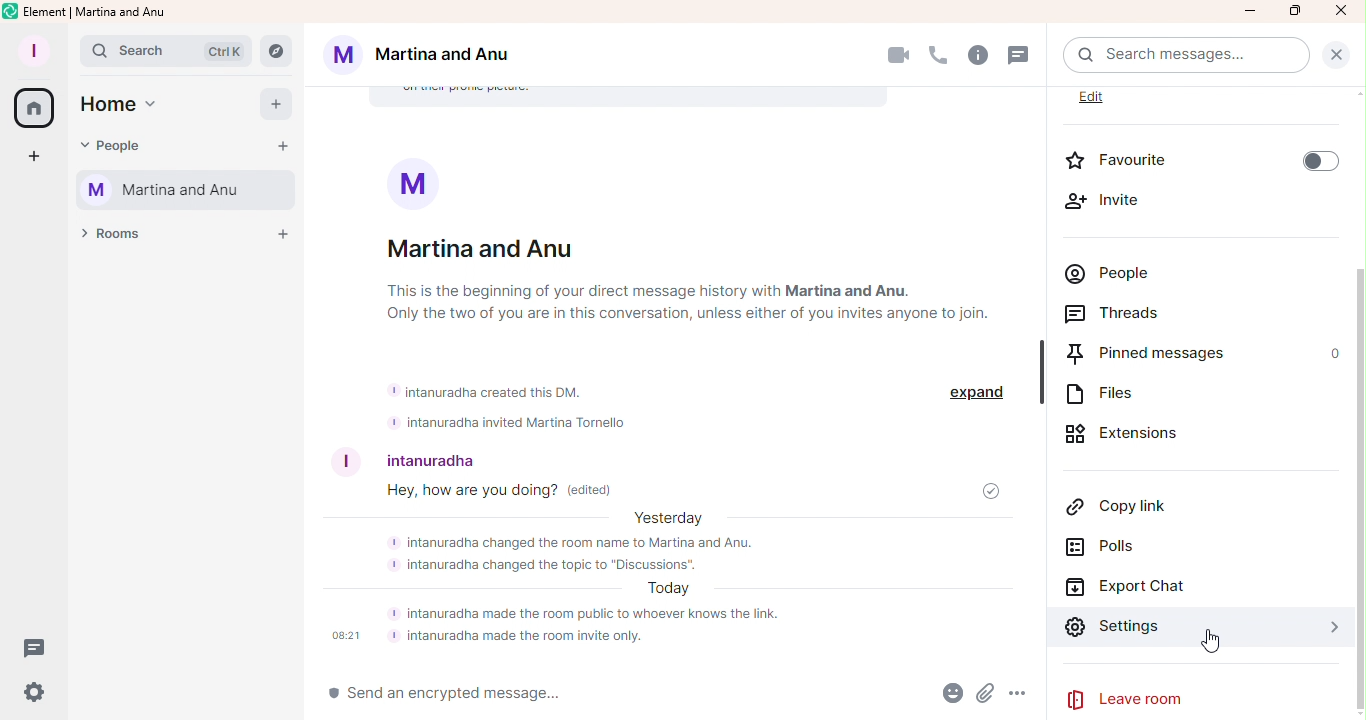  What do you see at coordinates (286, 147) in the screenshot?
I see `Start chat` at bounding box center [286, 147].